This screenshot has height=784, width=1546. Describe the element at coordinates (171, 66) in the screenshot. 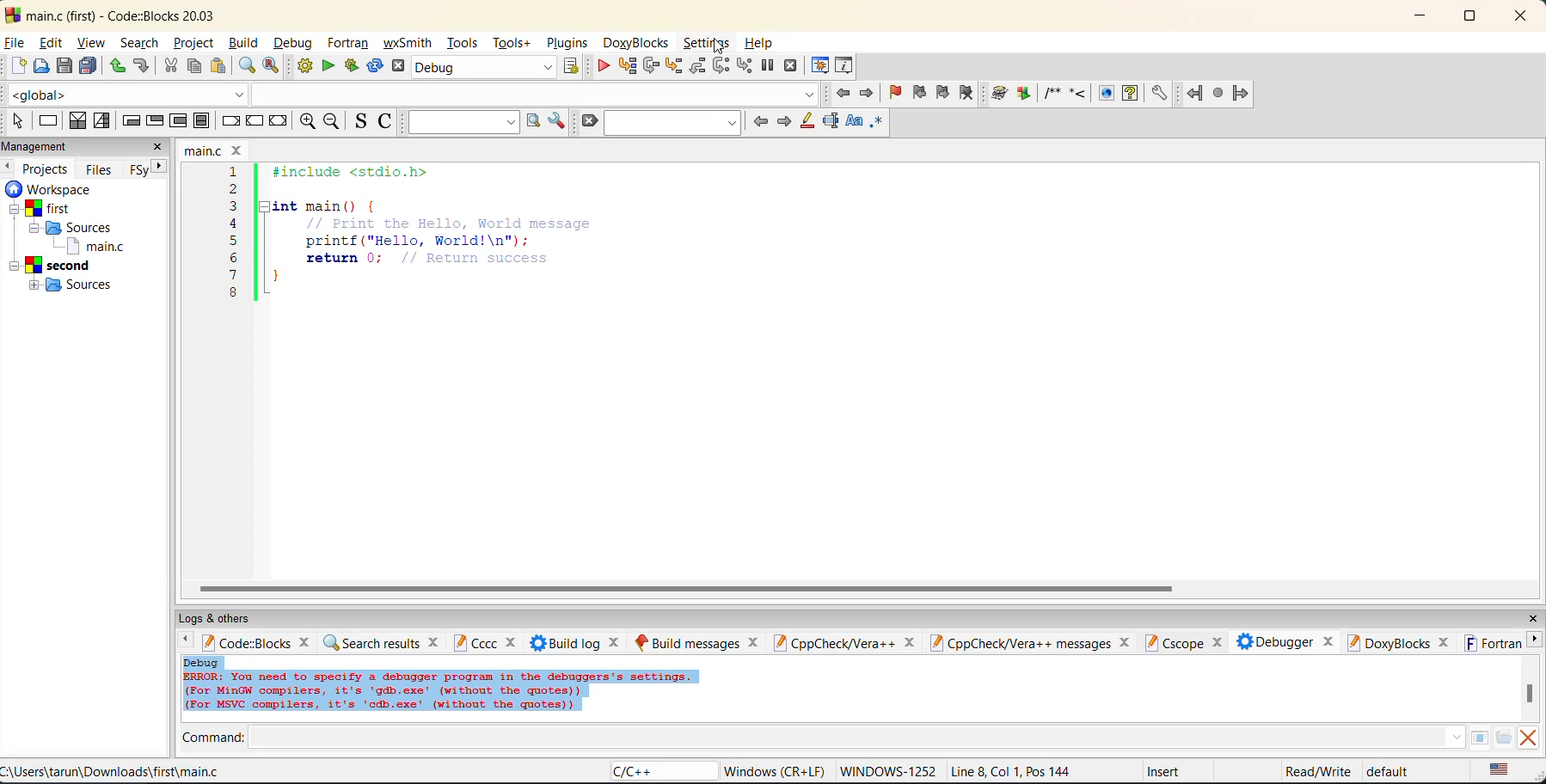

I see `cut` at that location.